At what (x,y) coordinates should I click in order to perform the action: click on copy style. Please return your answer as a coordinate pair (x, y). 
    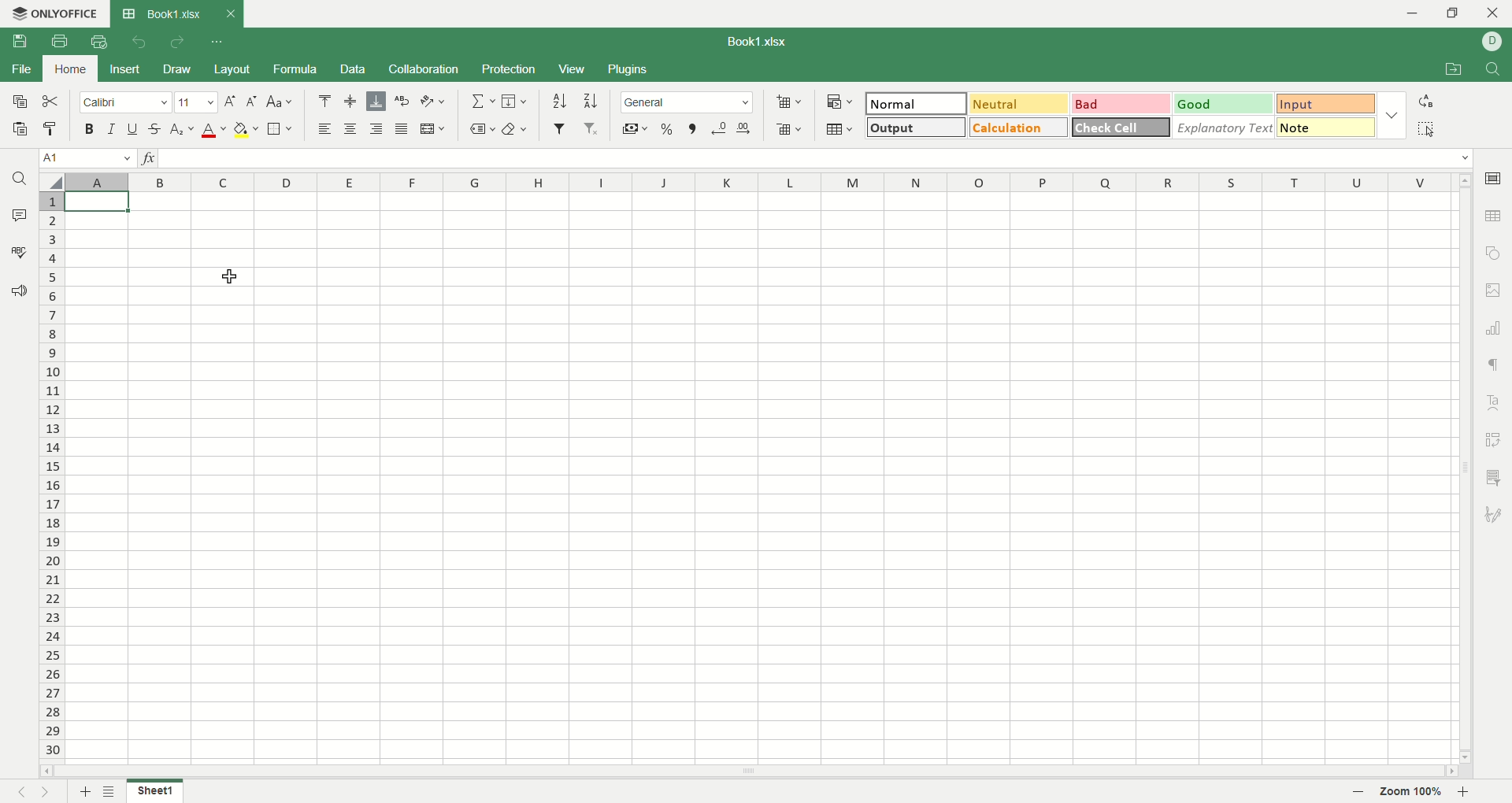
    Looking at the image, I should click on (51, 129).